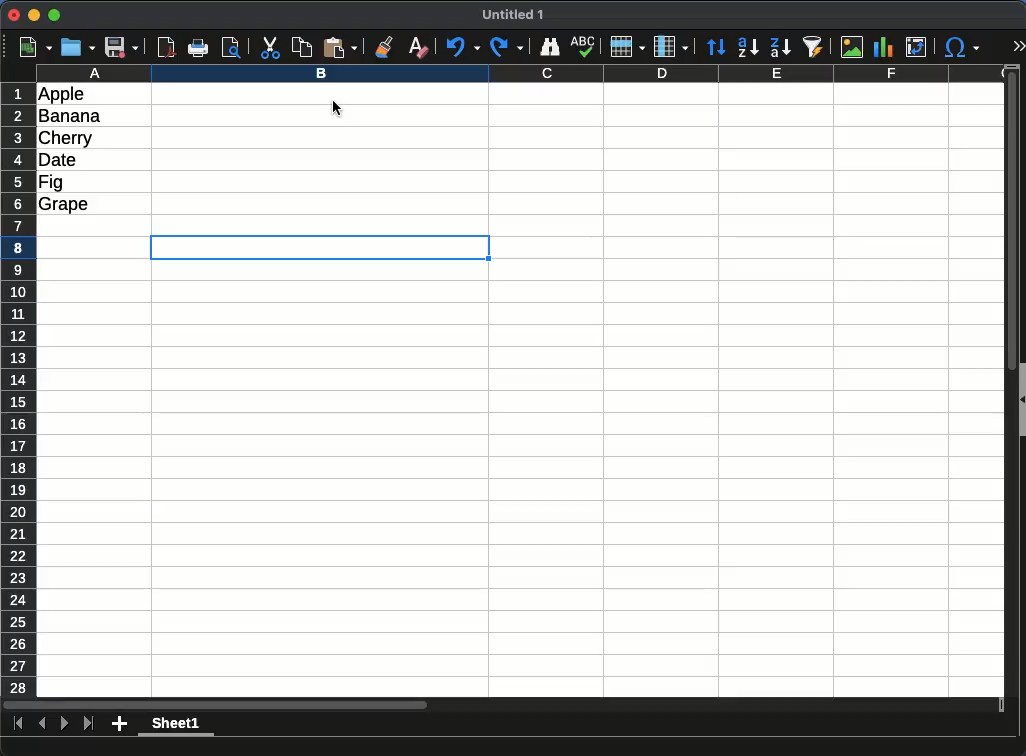 The height and width of the screenshot is (756, 1026). What do you see at coordinates (42, 724) in the screenshot?
I see `previous sheet` at bounding box center [42, 724].